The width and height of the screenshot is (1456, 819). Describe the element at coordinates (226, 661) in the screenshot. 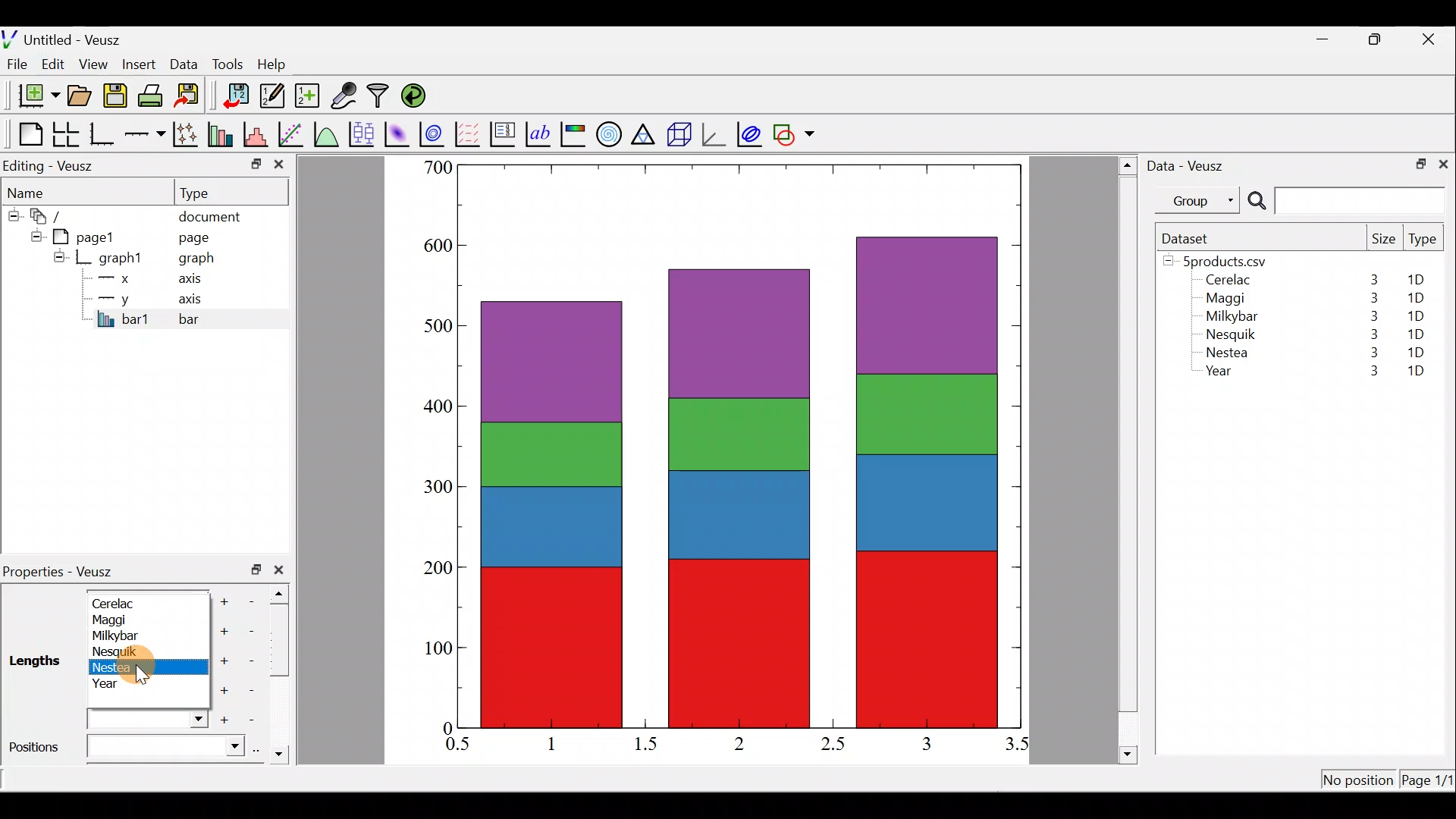

I see `Add another item` at that location.